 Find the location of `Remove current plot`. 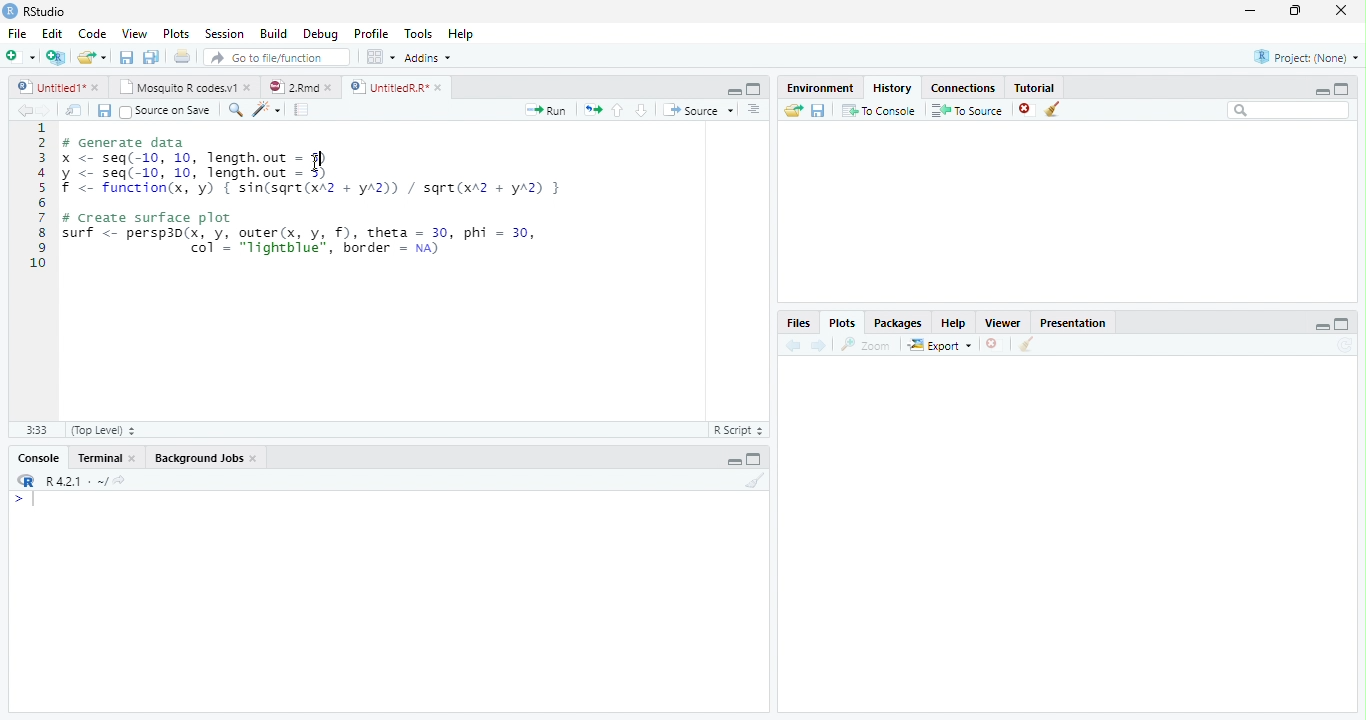

Remove current plot is located at coordinates (996, 344).